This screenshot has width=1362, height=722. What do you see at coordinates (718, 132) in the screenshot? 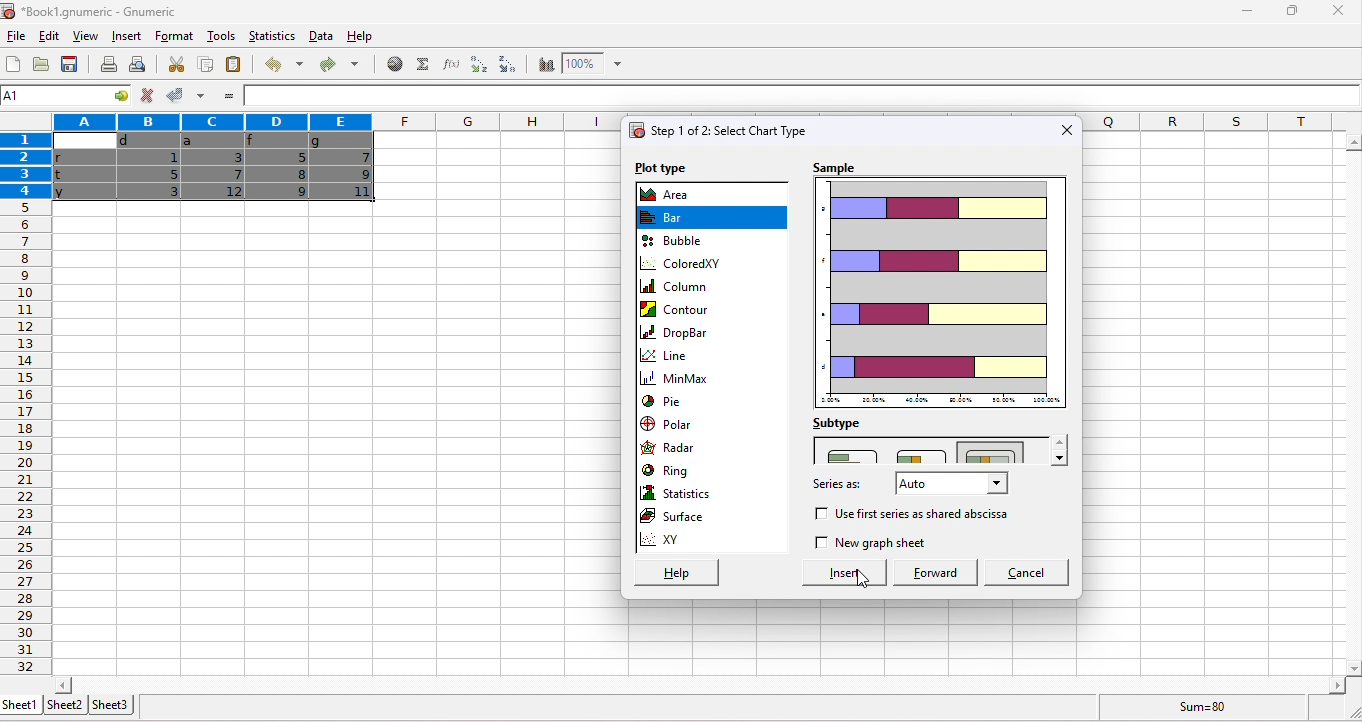
I see `select chart type` at bounding box center [718, 132].